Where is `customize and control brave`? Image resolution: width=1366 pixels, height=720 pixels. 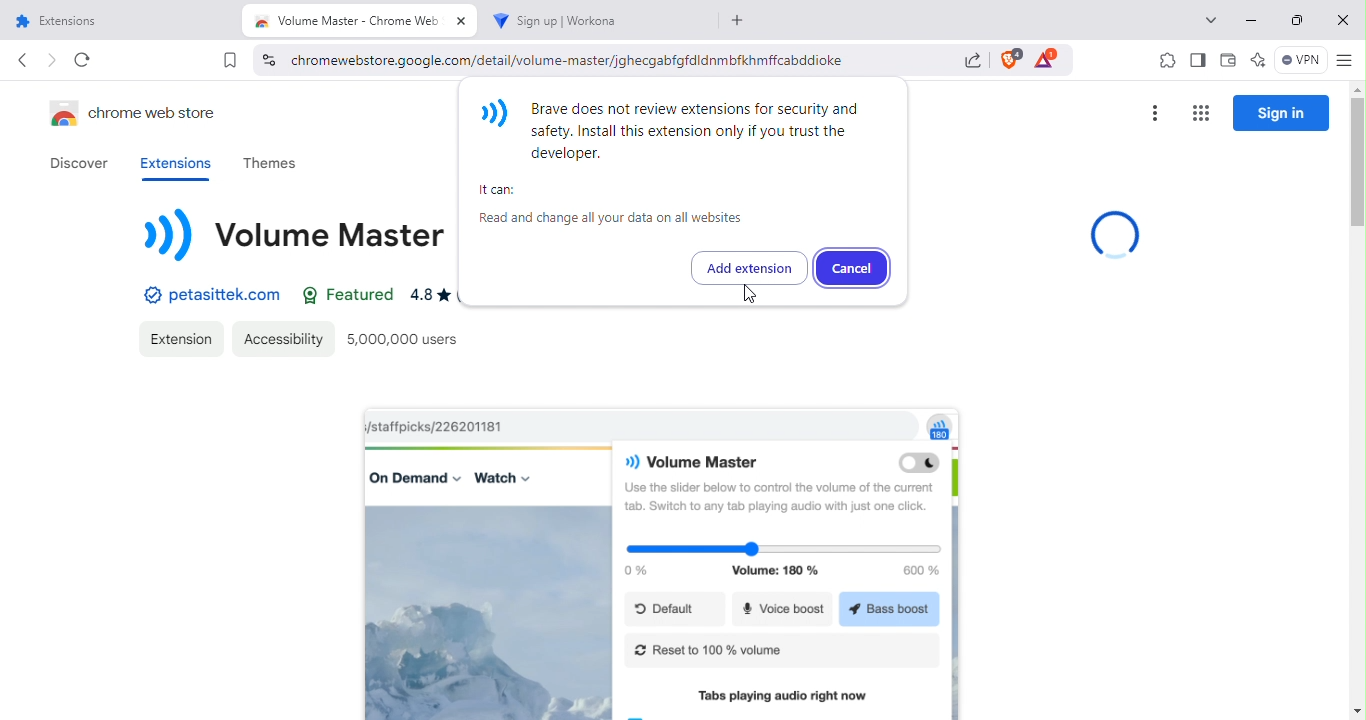
customize and control brave is located at coordinates (1348, 58).